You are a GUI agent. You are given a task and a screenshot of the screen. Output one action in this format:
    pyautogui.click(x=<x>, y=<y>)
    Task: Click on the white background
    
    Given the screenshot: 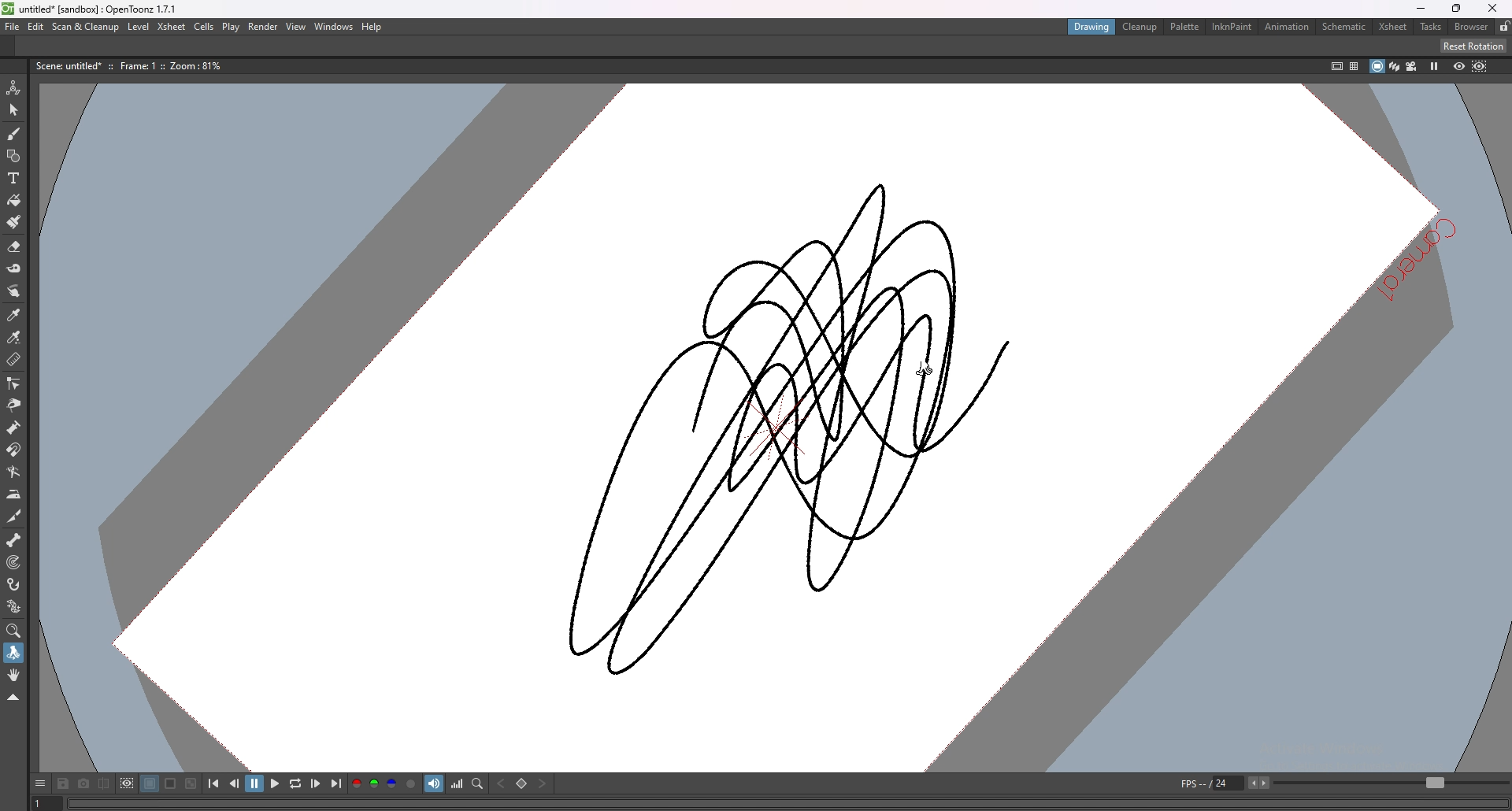 What is the action you would take?
    pyautogui.click(x=171, y=784)
    